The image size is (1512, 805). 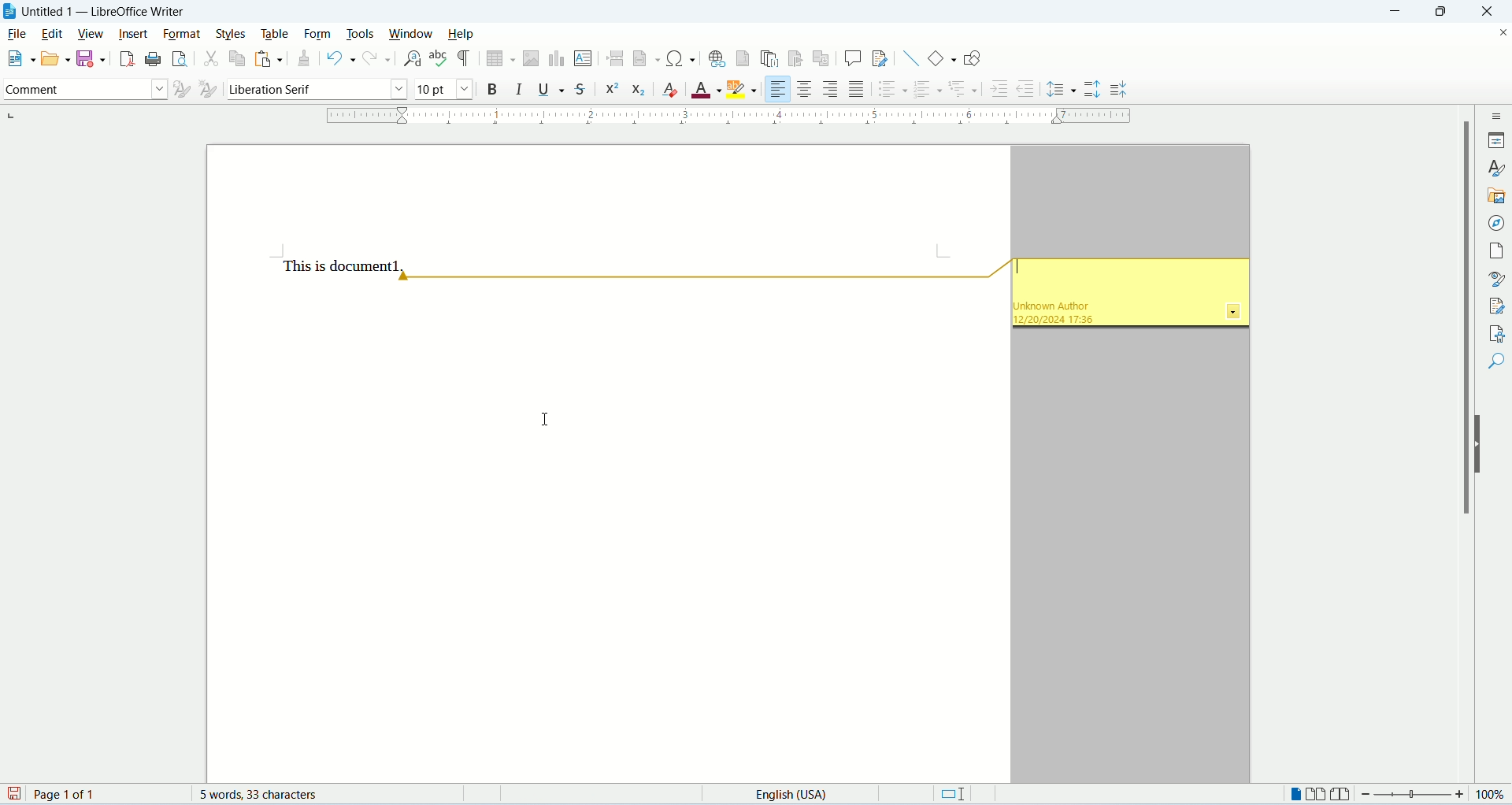 What do you see at coordinates (1062, 87) in the screenshot?
I see `set line spacing` at bounding box center [1062, 87].